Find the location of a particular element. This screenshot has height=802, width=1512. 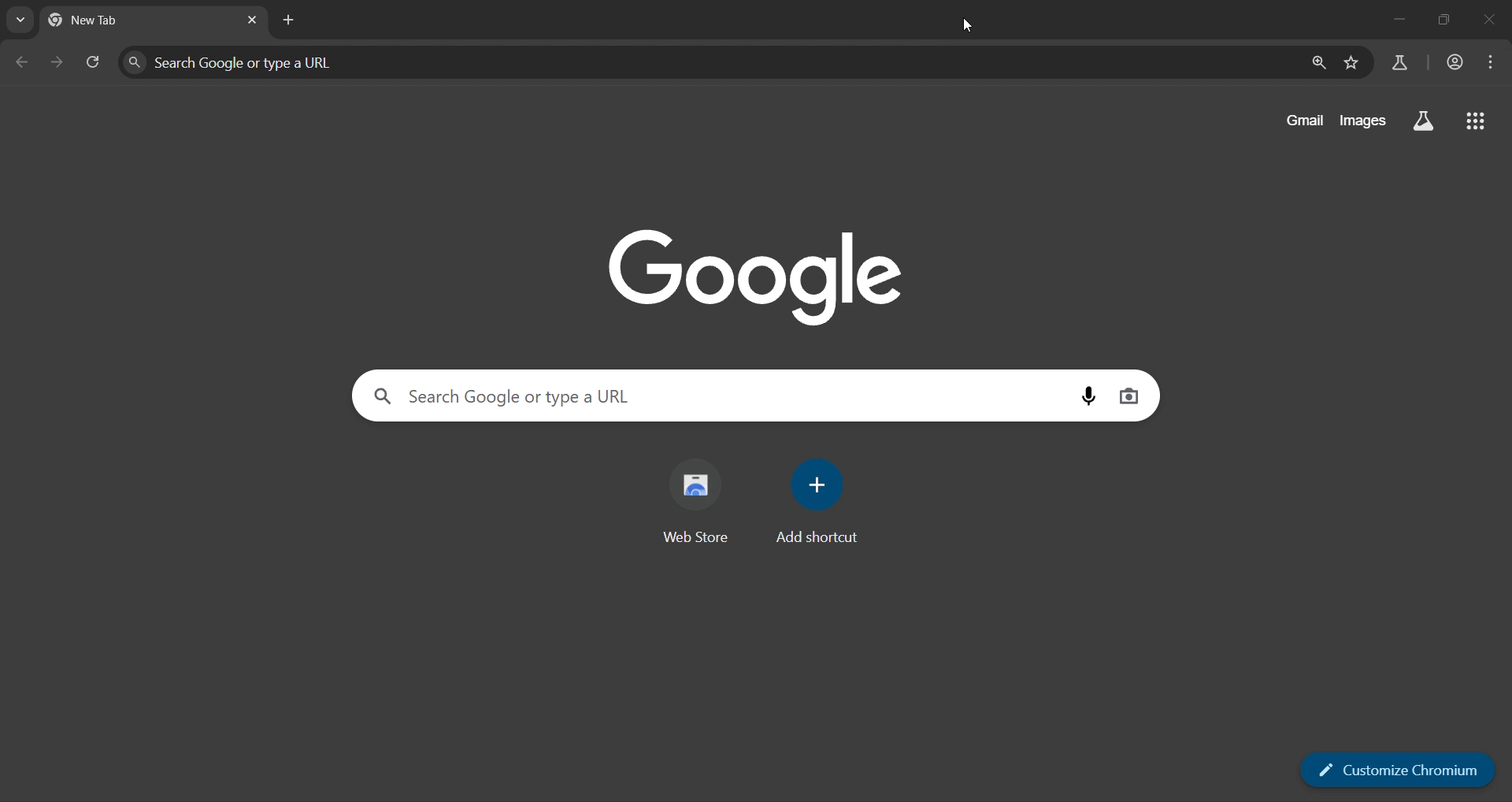

customize chromium is located at coordinates (1399, 768).